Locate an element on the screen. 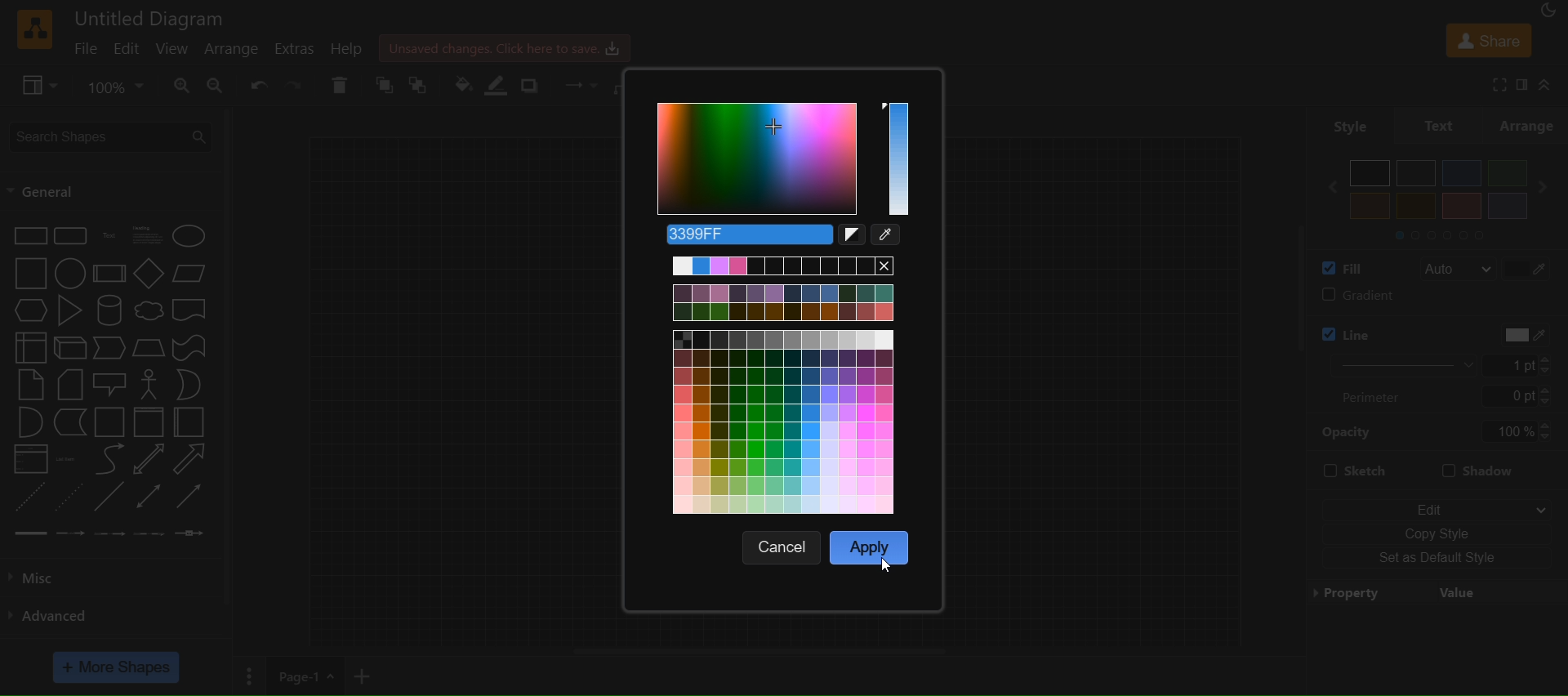 The width and height of the screenshot is (1568, 696). add new page is located at coordinates (367, 673).